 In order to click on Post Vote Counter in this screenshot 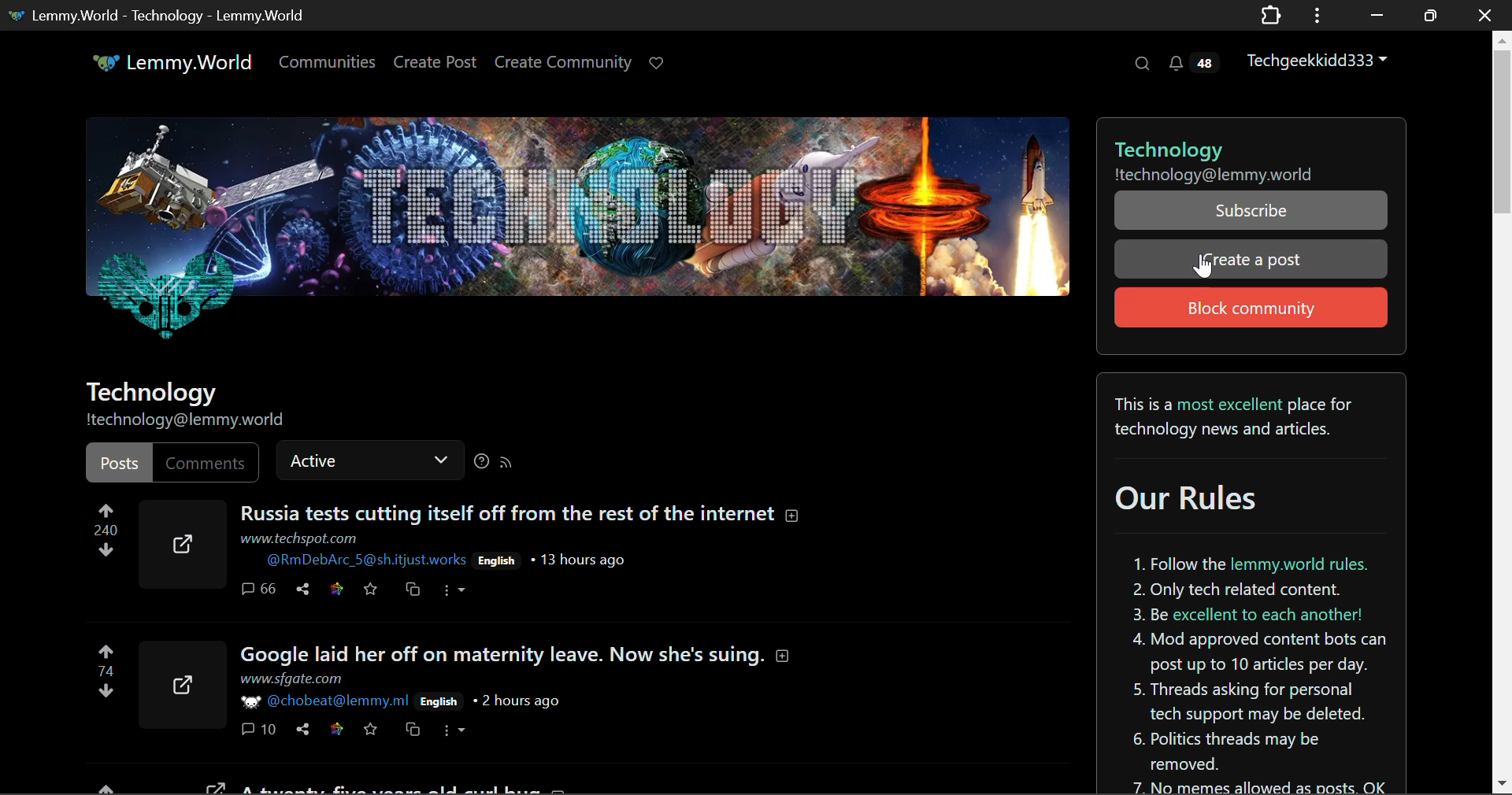, I will do `click(103, 666)`.